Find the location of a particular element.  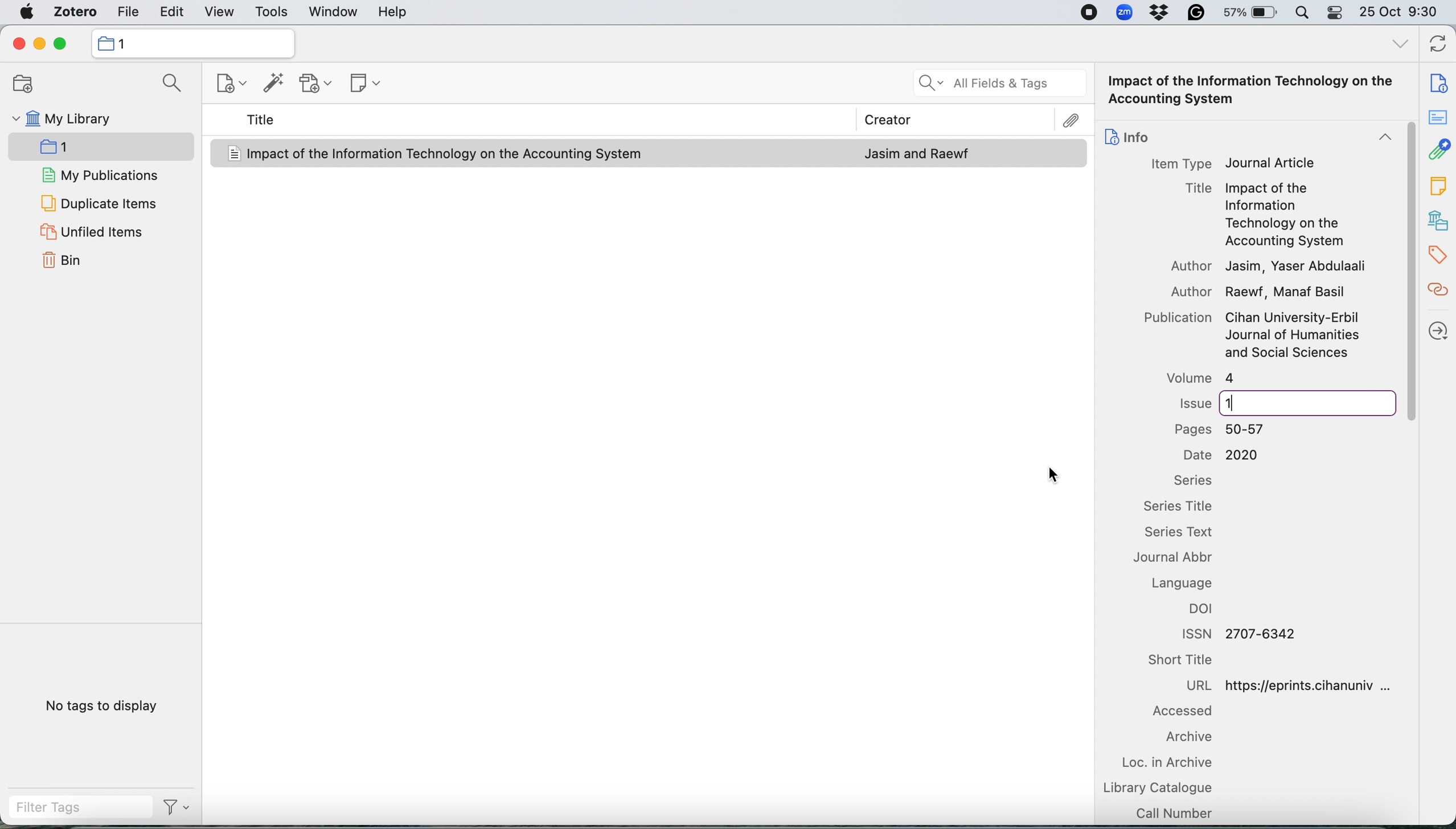

info is located at coordinates (1127, 134).